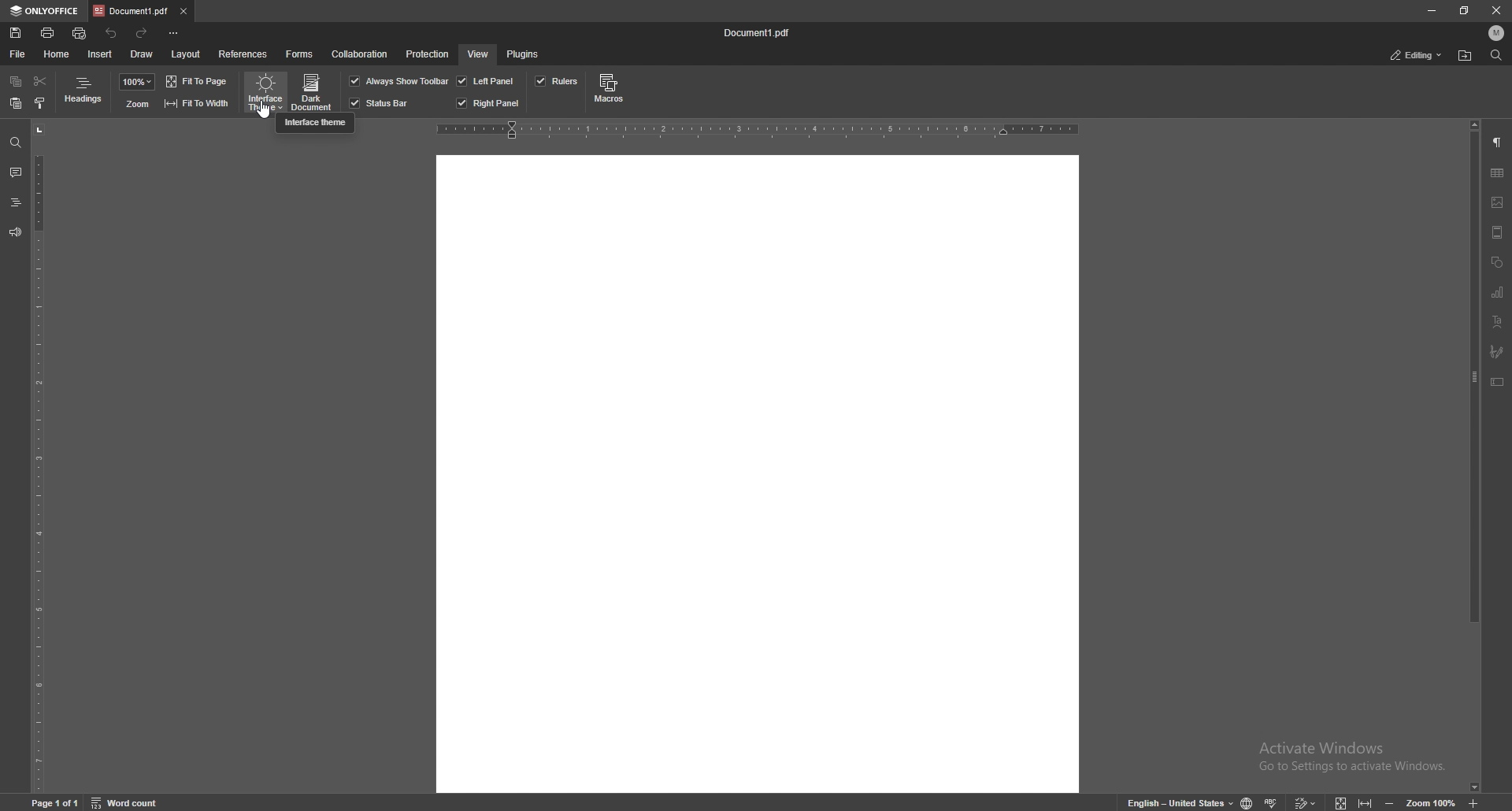 Image resolution: width=1512 pixels, height=811 pixels. I want to click on always show toolbar, so click(397, 81).